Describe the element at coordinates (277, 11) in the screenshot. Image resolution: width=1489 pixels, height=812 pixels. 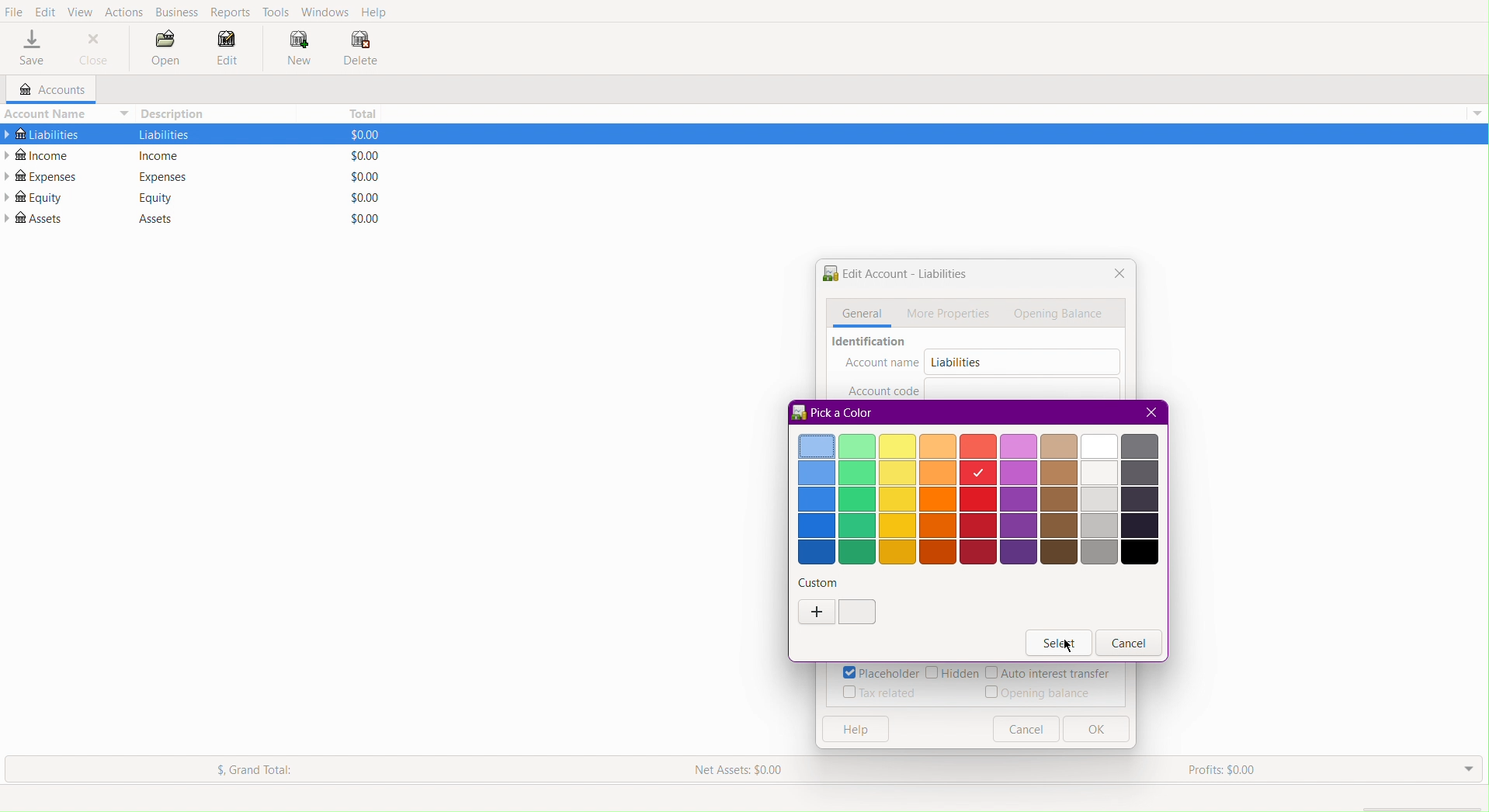
I see `Tools` at that location.